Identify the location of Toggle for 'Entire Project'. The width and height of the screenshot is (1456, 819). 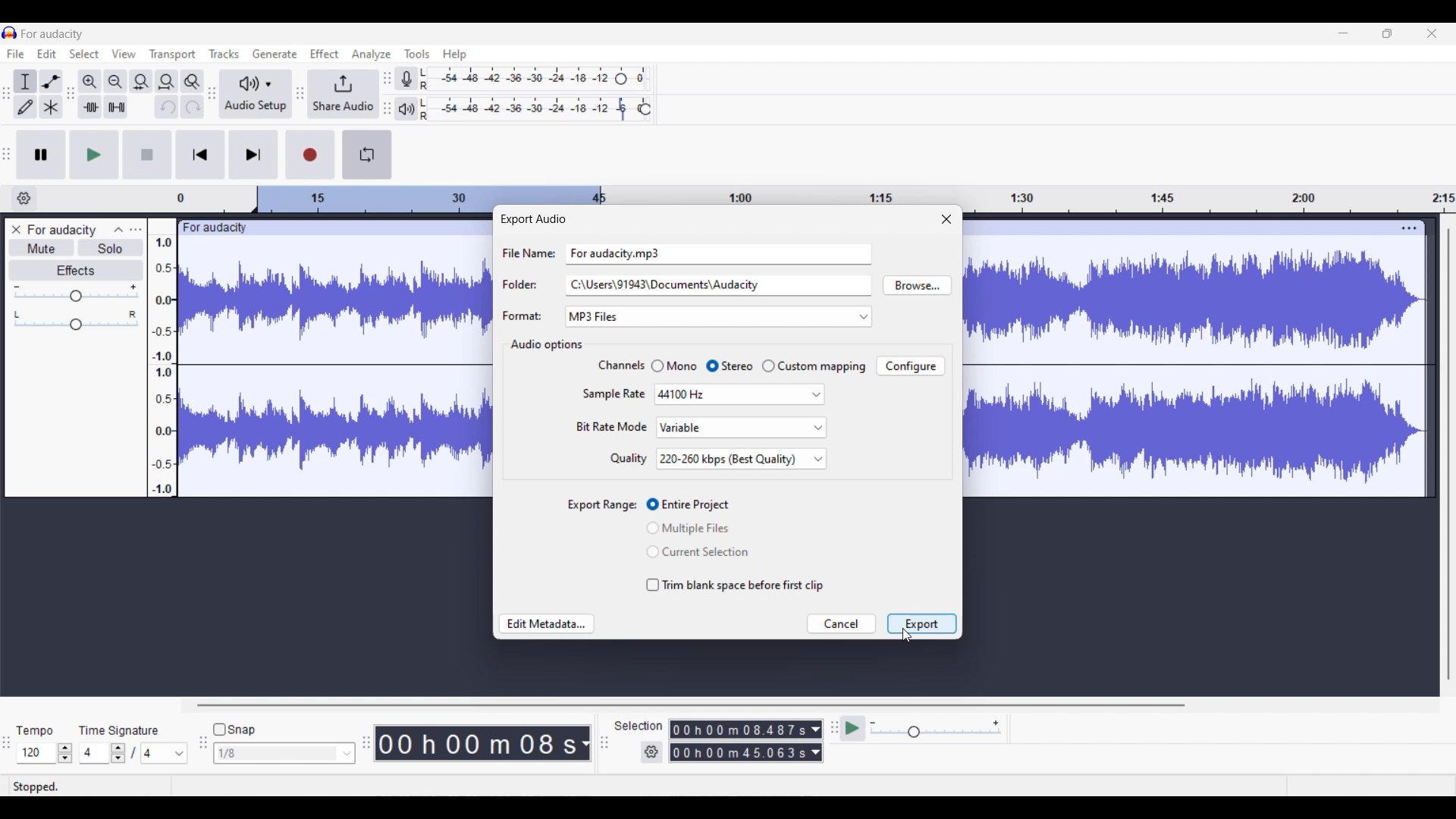
(699, 505).